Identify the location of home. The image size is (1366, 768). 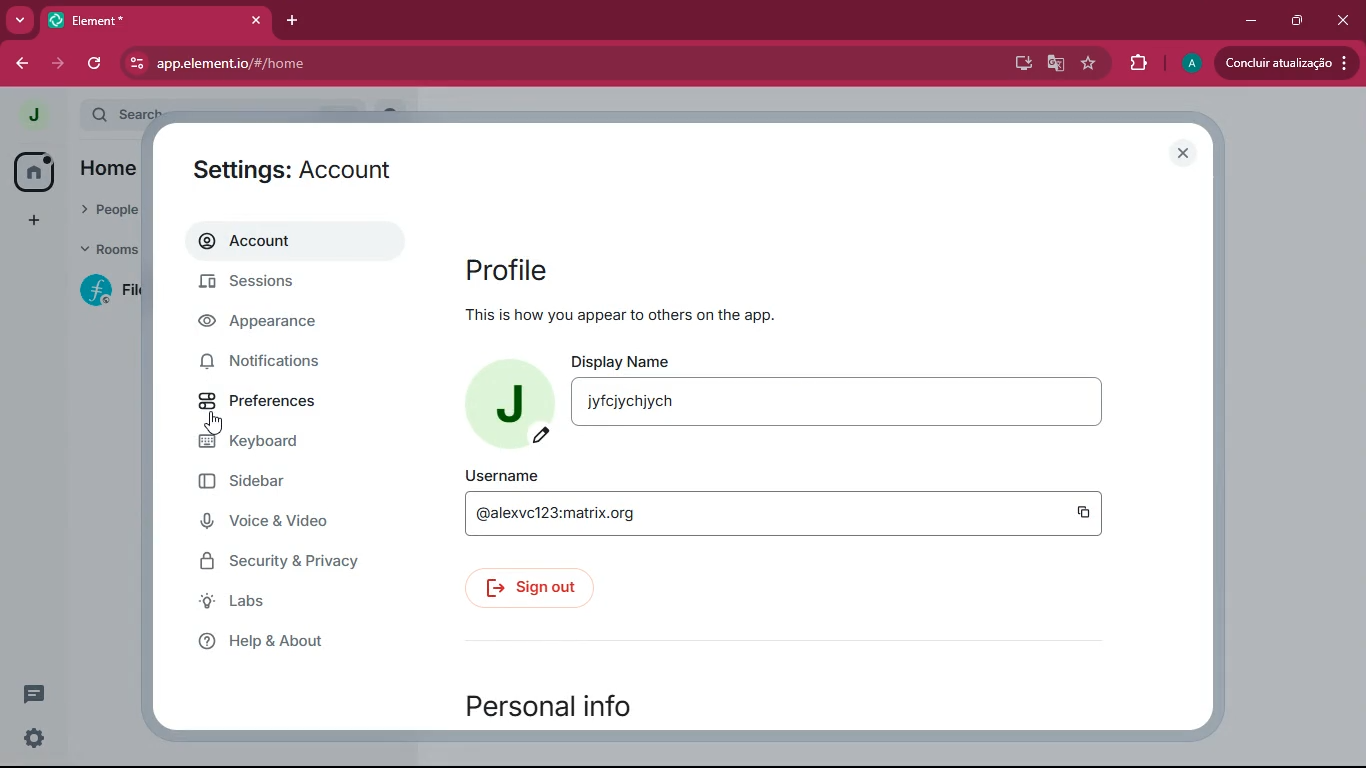
(32, 171).